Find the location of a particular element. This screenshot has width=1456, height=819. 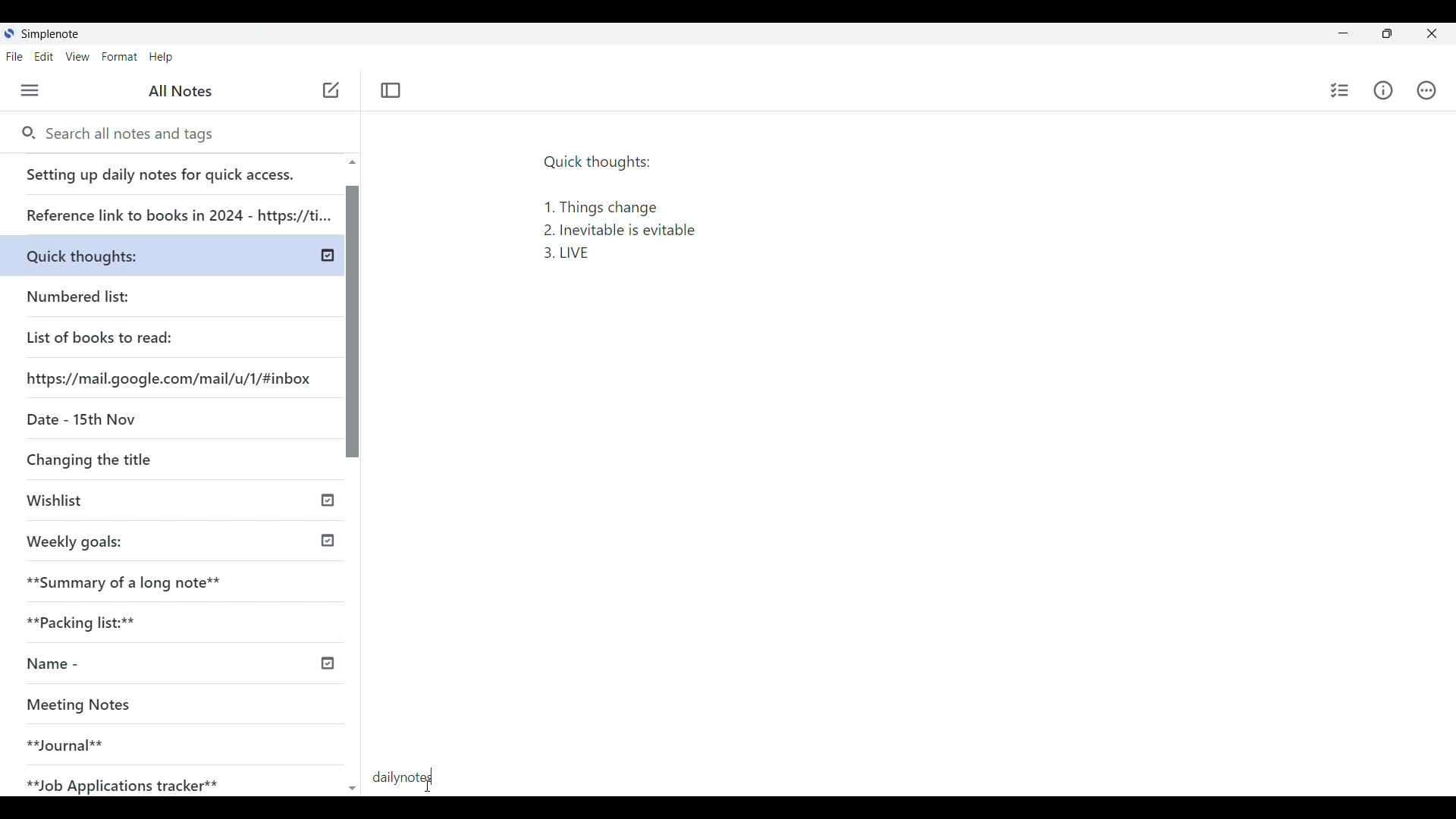

Format menu is located at coordinates (120, 57).